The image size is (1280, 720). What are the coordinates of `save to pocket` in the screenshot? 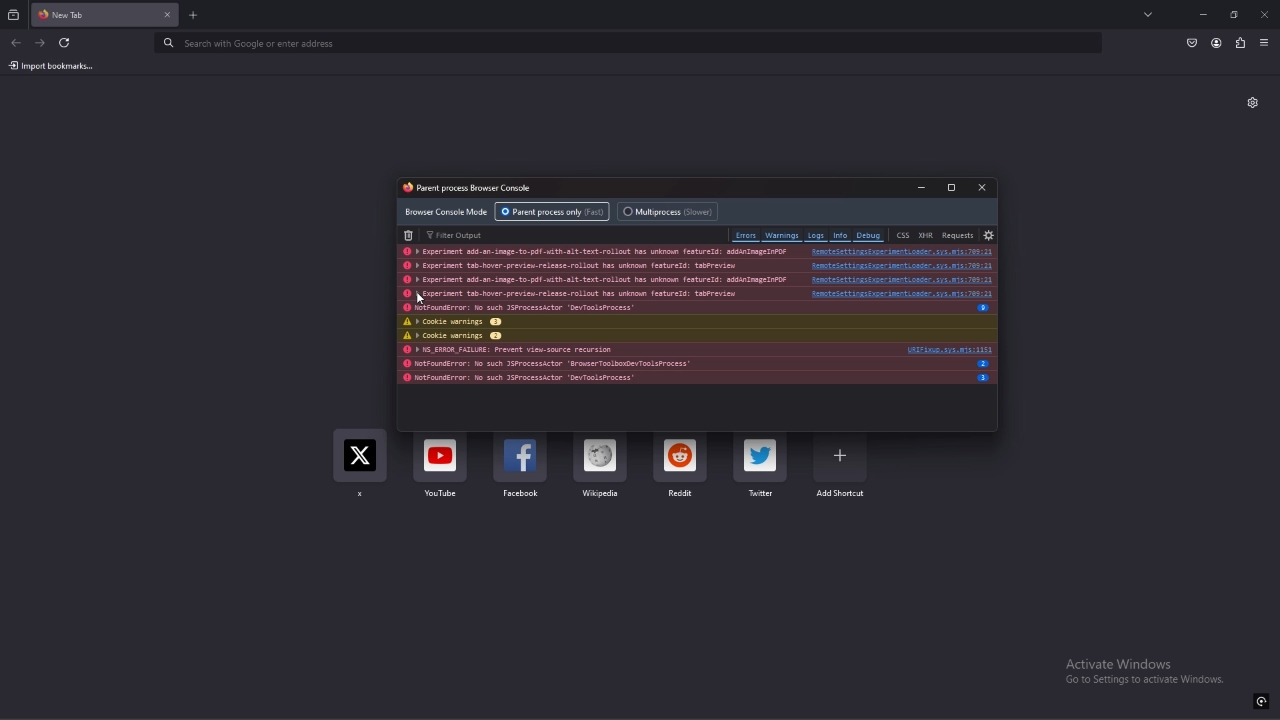 It's located at (1191, 43).